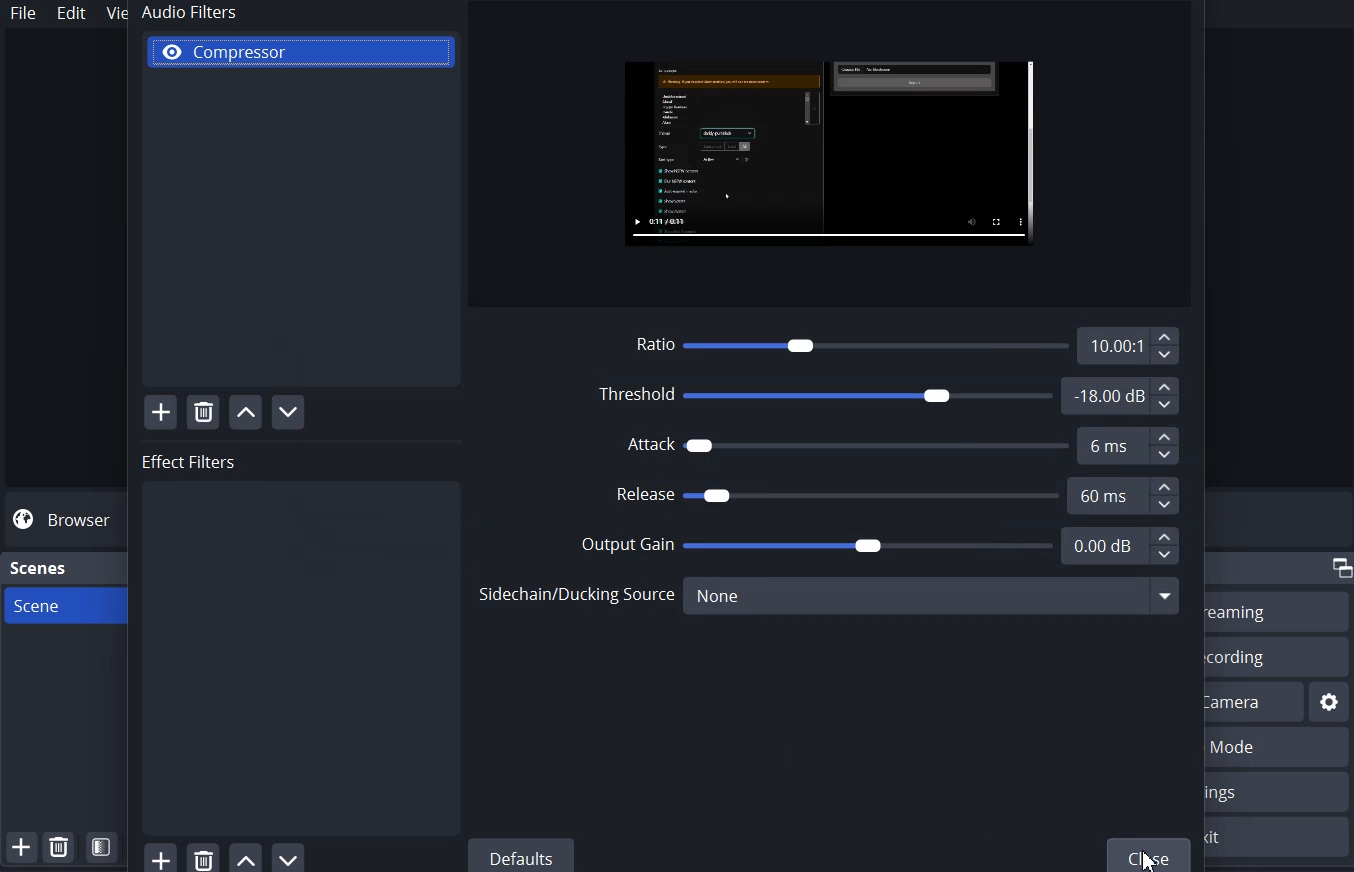 The height and width of the screenshot is (872, 1354). I want to click on Scene, so click(59, 605).